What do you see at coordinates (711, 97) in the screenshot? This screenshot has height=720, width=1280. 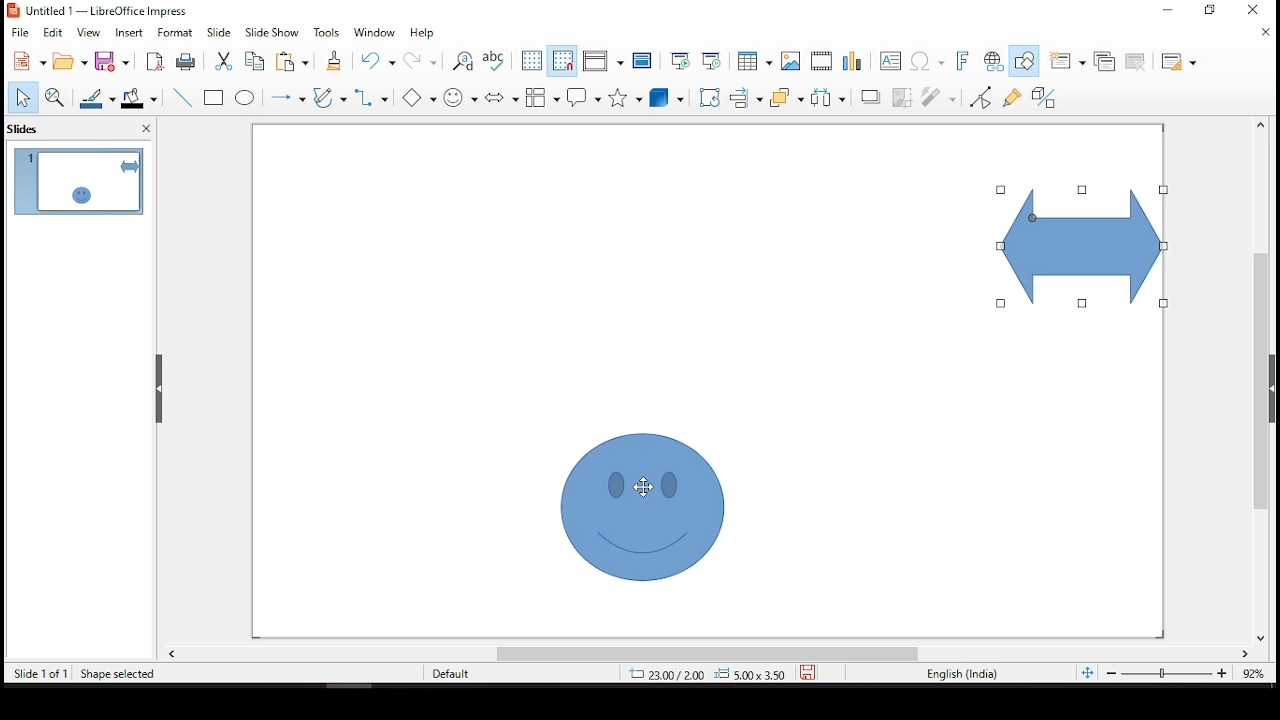 I see `rotate` at bounding box center [711, 97].